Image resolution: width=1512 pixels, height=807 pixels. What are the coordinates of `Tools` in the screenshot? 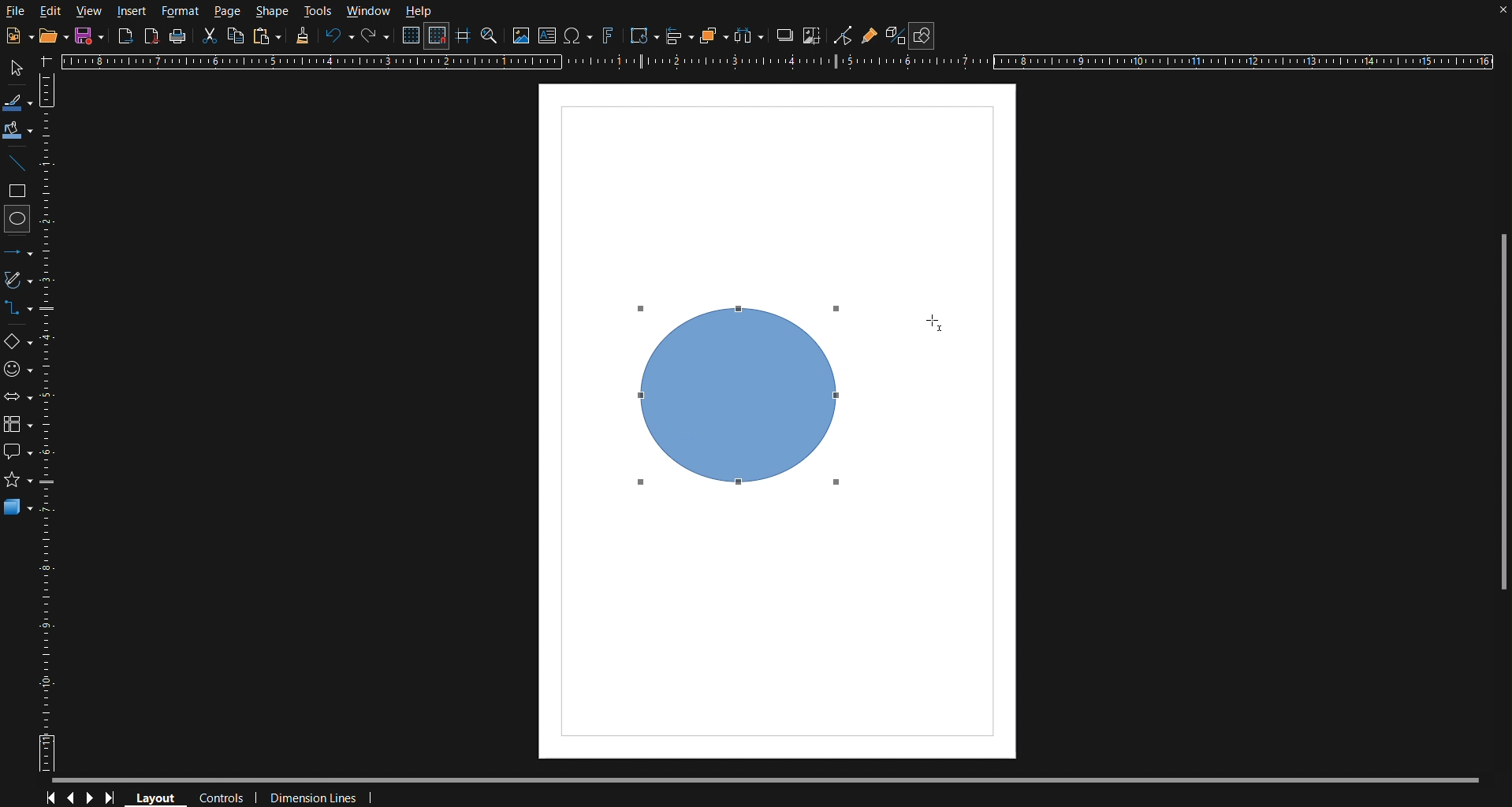 It's located at (319, 9).